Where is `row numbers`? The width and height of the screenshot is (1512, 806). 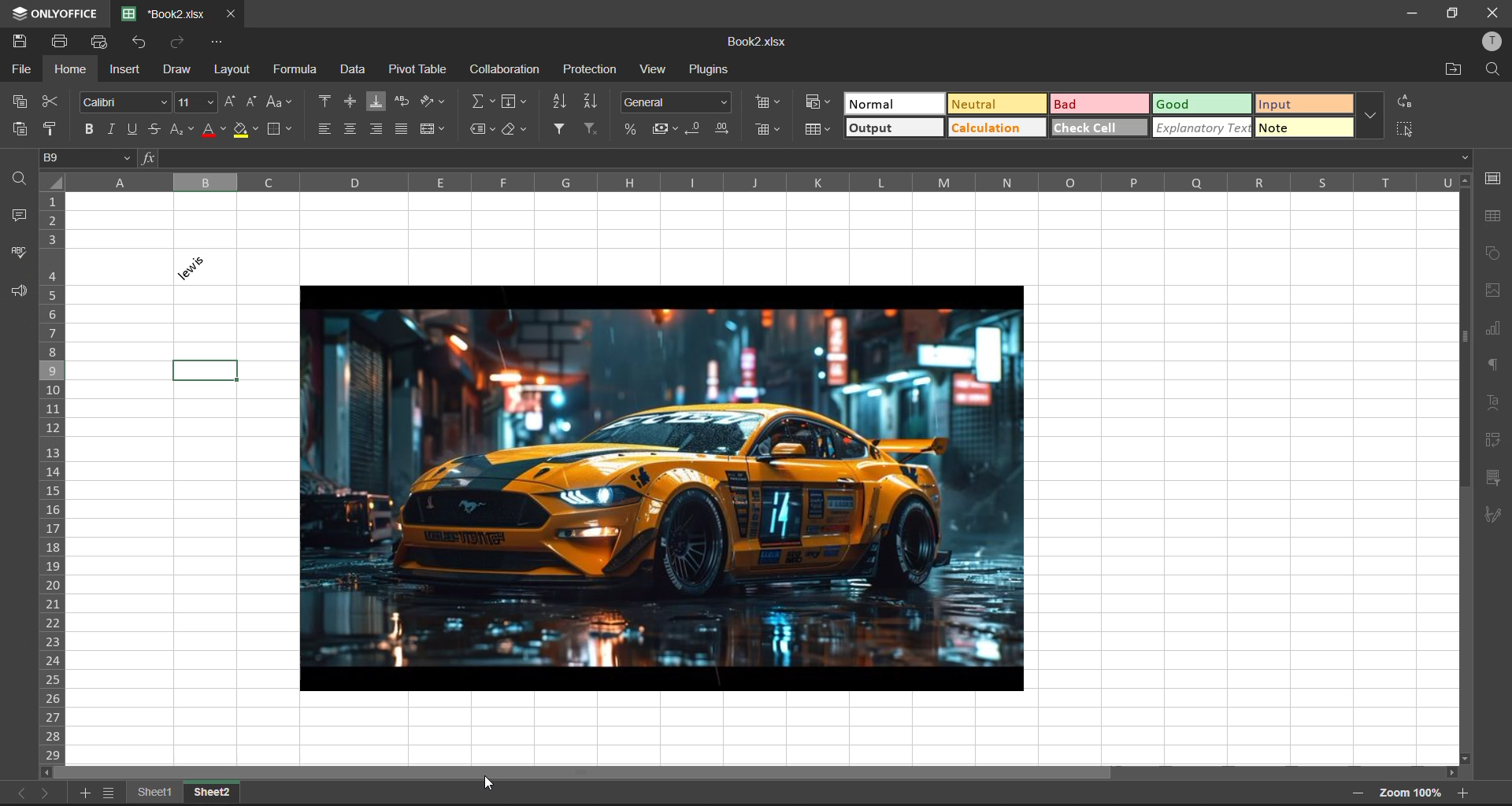 row numbers is located at coordinates (53, 479).